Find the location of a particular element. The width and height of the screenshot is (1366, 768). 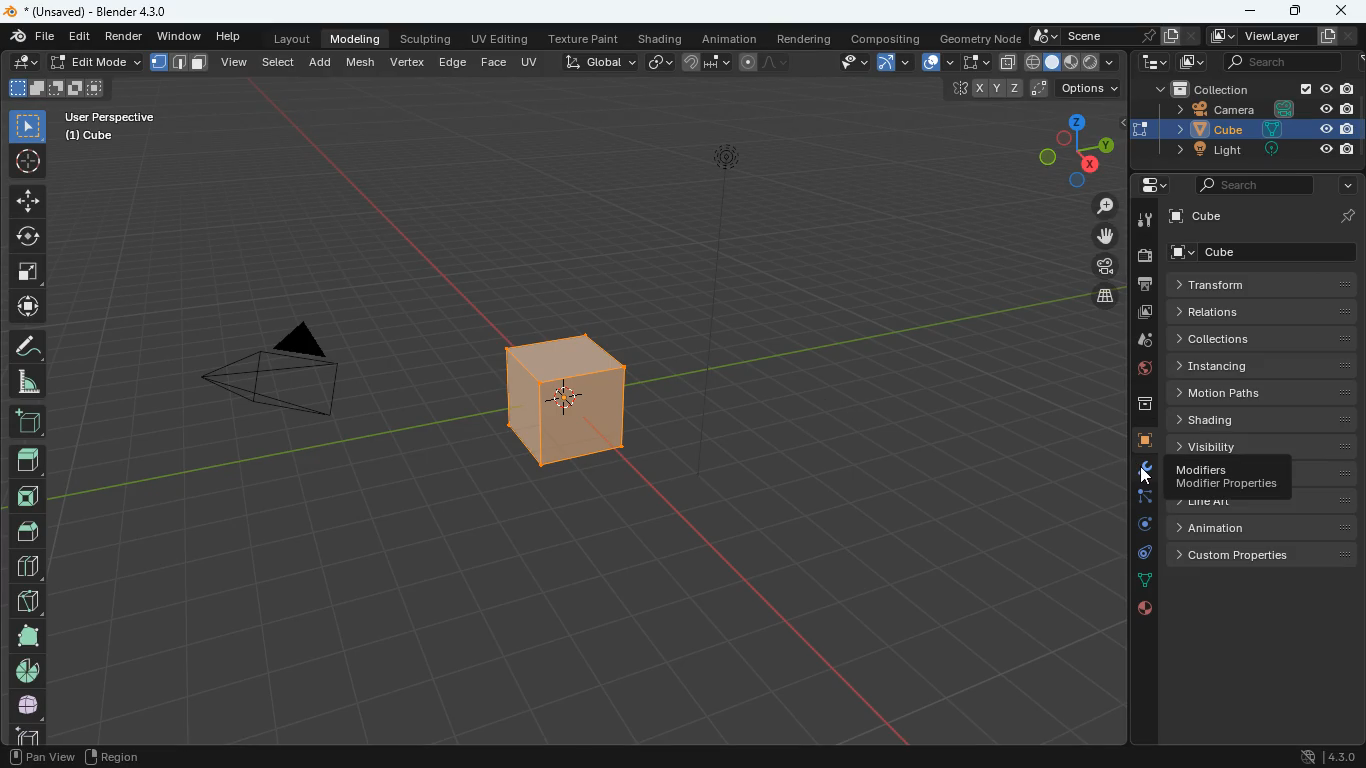

zoom is located at coordinates (1102, 206).